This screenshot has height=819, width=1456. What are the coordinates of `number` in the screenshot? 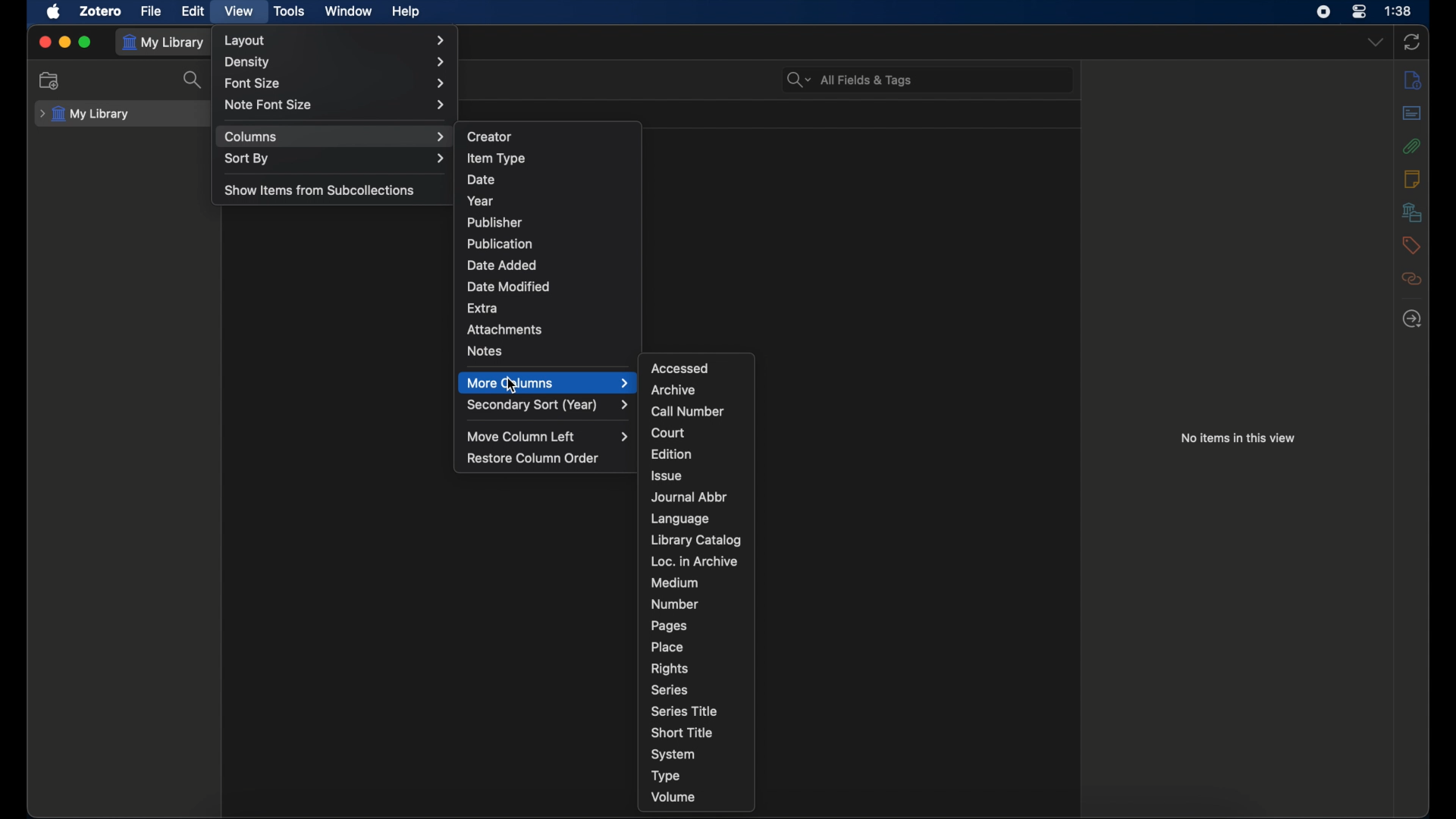 It's located at (675, 604).